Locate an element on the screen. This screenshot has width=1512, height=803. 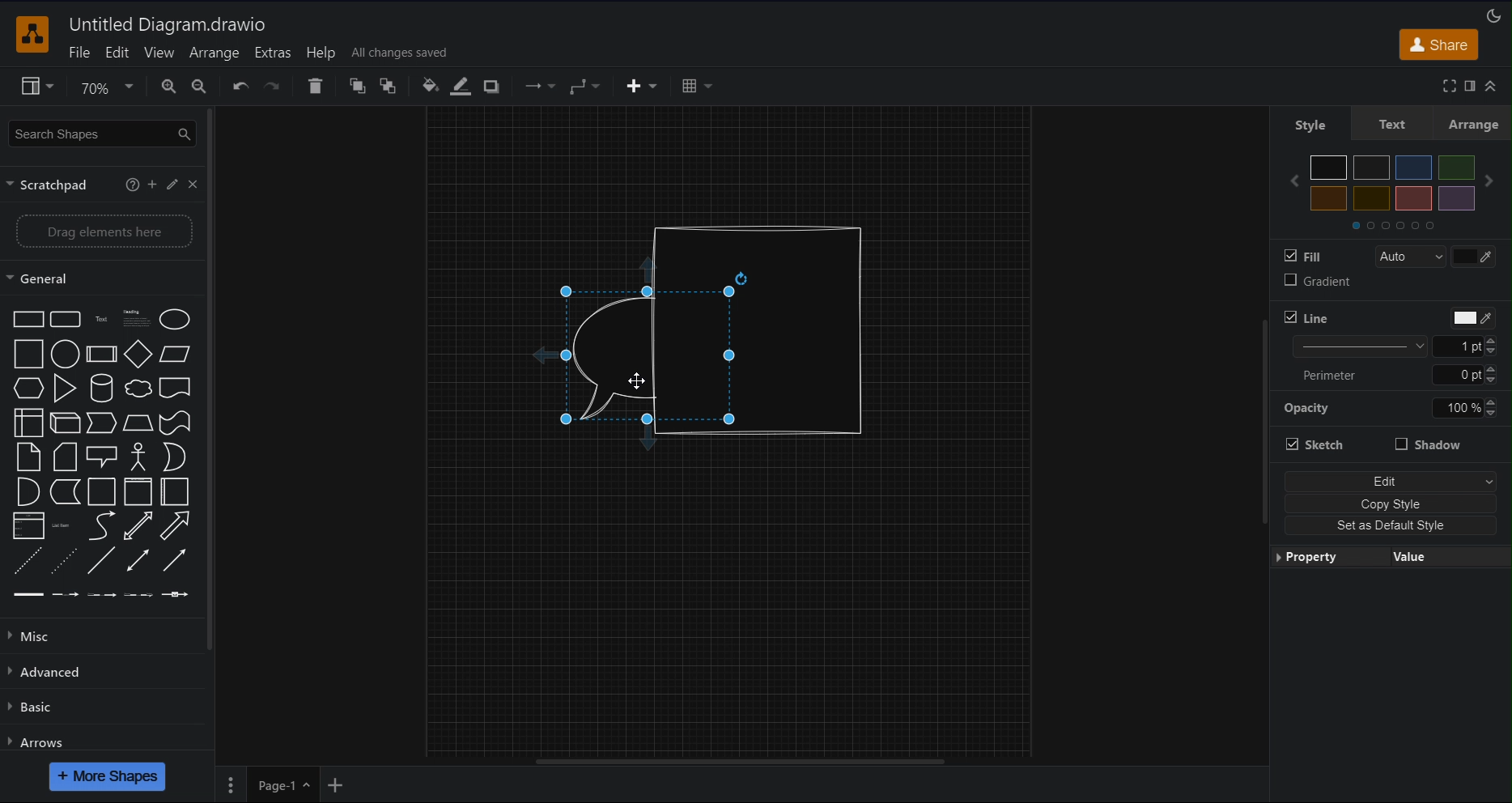
Copy Style is located at coordinates (1391, 503).